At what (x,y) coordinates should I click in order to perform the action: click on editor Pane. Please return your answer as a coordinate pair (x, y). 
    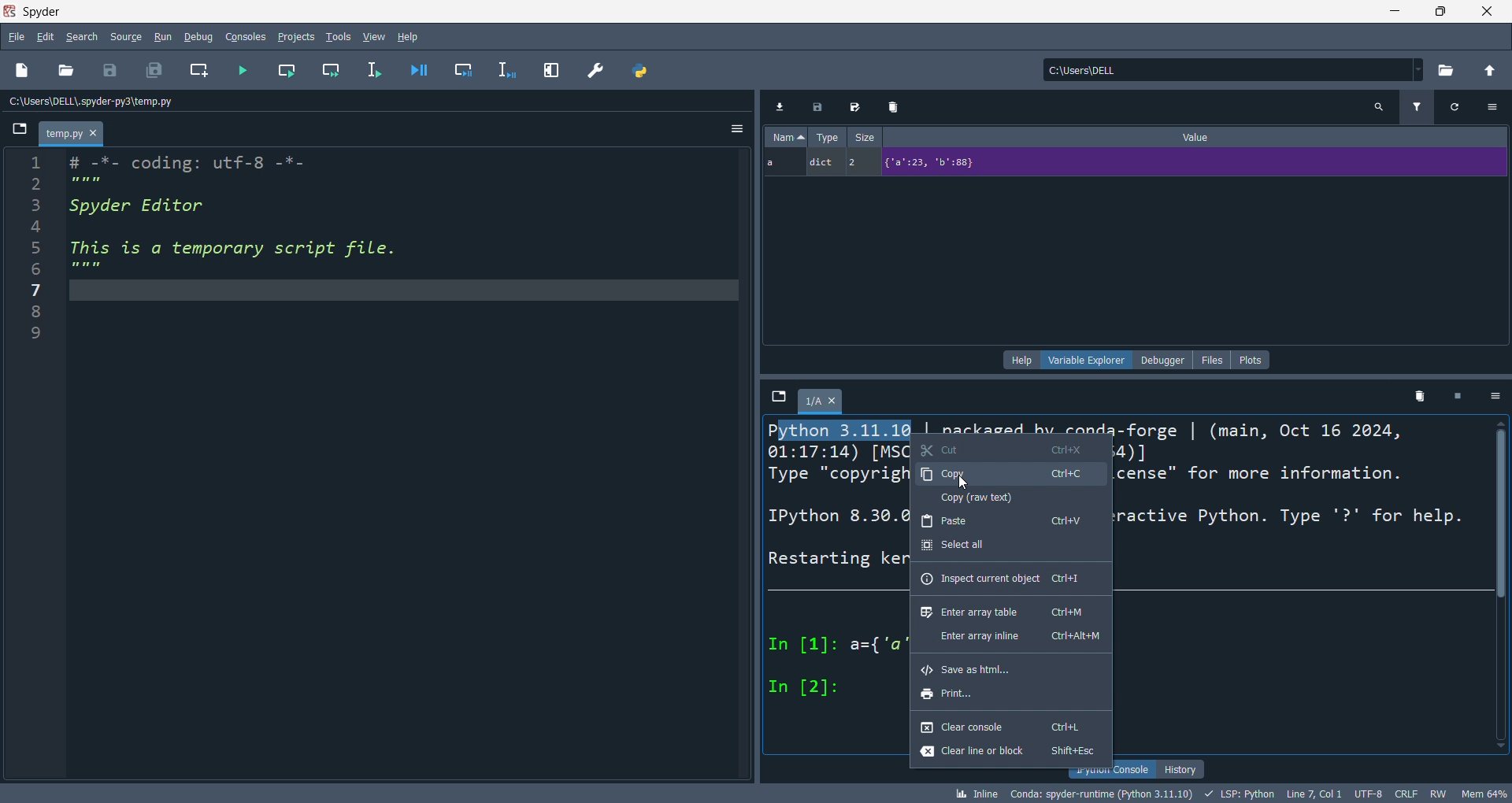
    Looking at the image, I should click on (406, 466).